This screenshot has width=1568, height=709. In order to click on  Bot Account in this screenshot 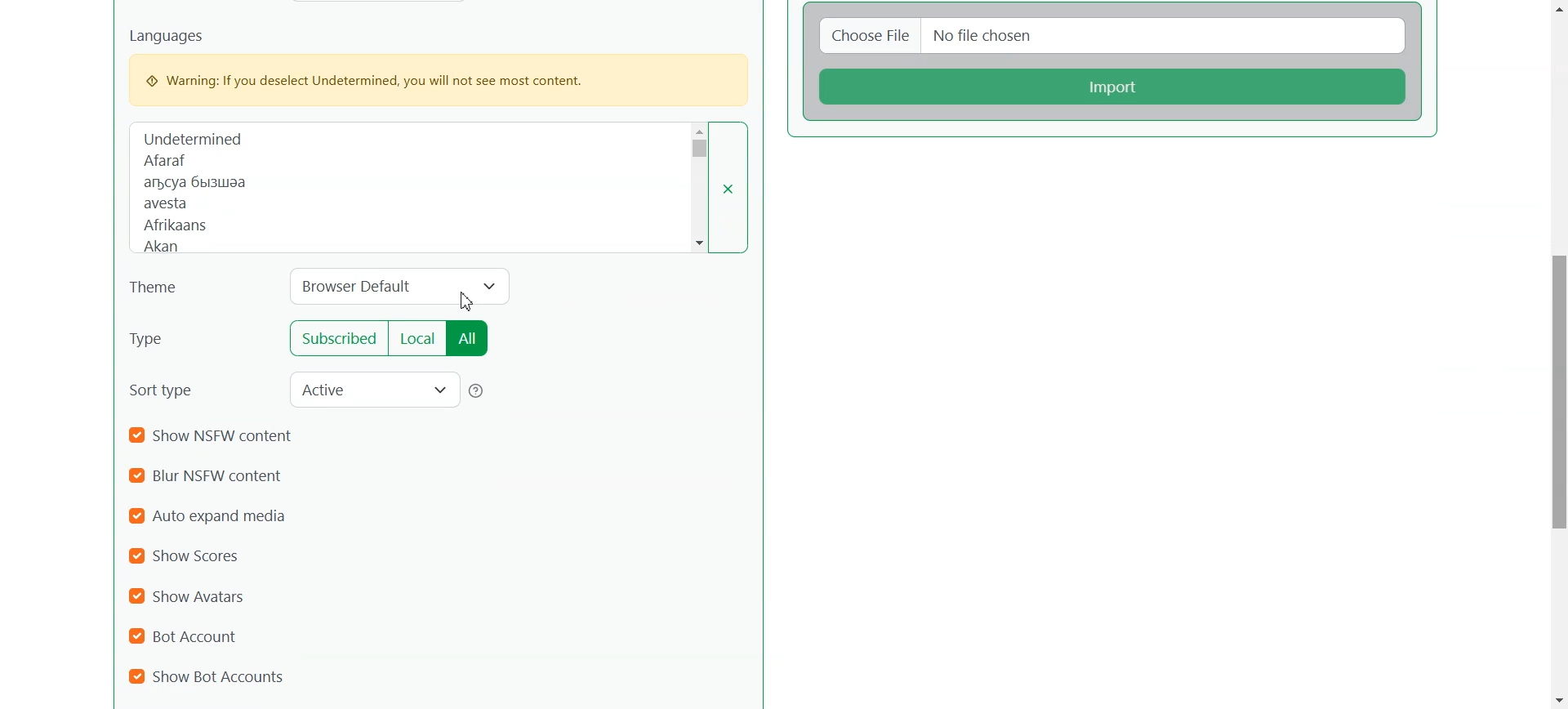, I will do `click(192, 635)`.